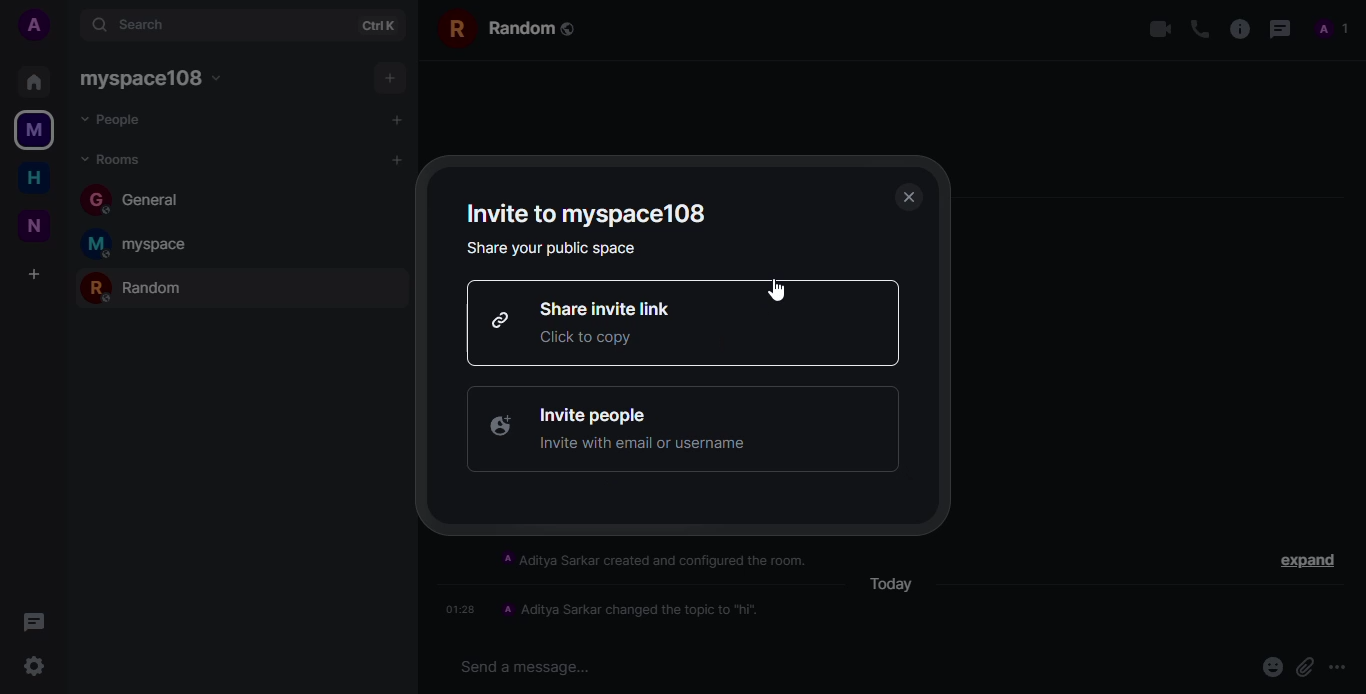 This screenshot has width=1366, height=694. What do you see at coordinates (512, 25) in the screenshot?
I see `random` at bounding box center [512, 25].